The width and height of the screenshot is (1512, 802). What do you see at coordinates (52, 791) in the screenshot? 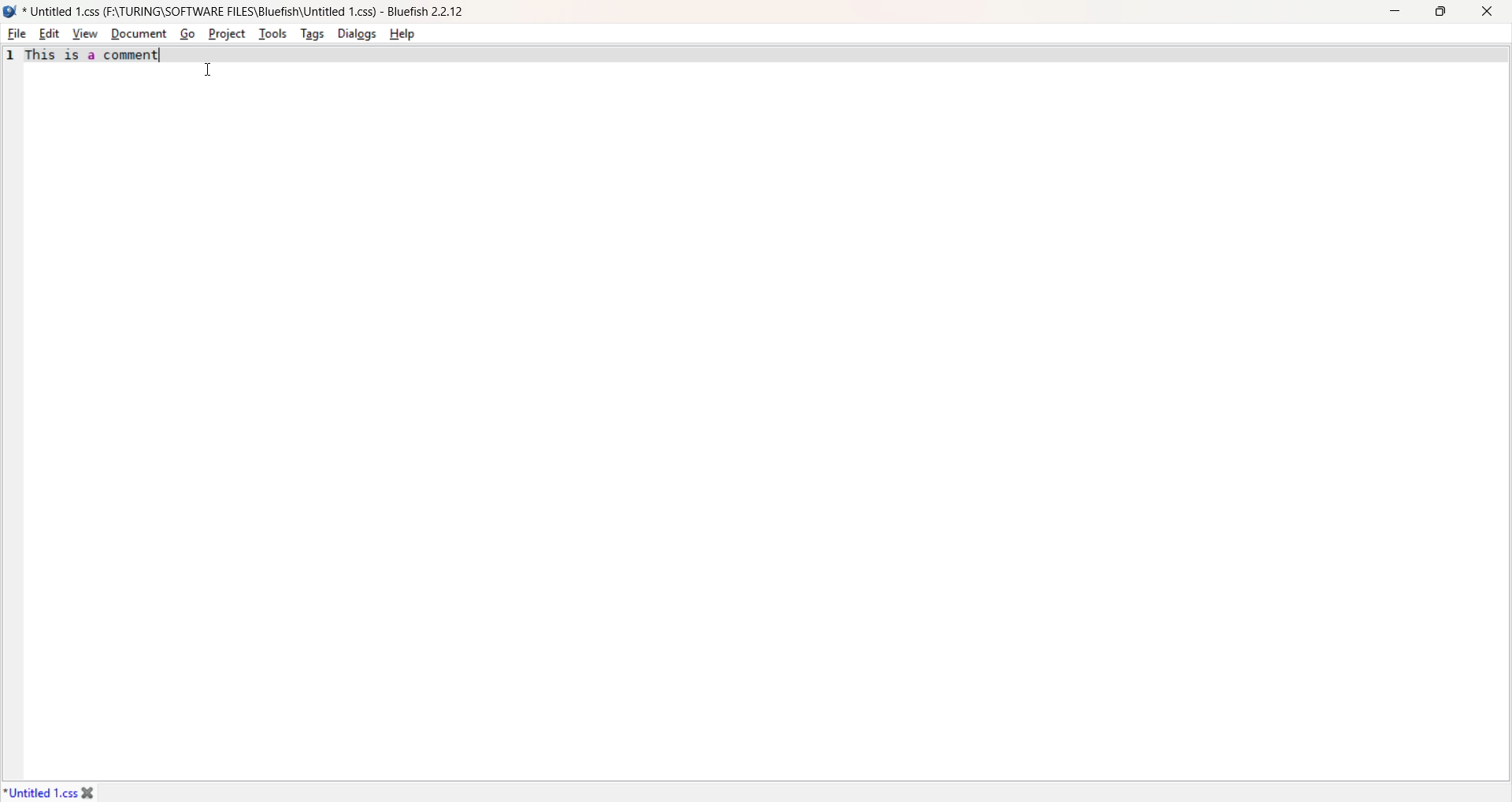
I see `*Untitled 1.css` at bounding box center [52, 791].